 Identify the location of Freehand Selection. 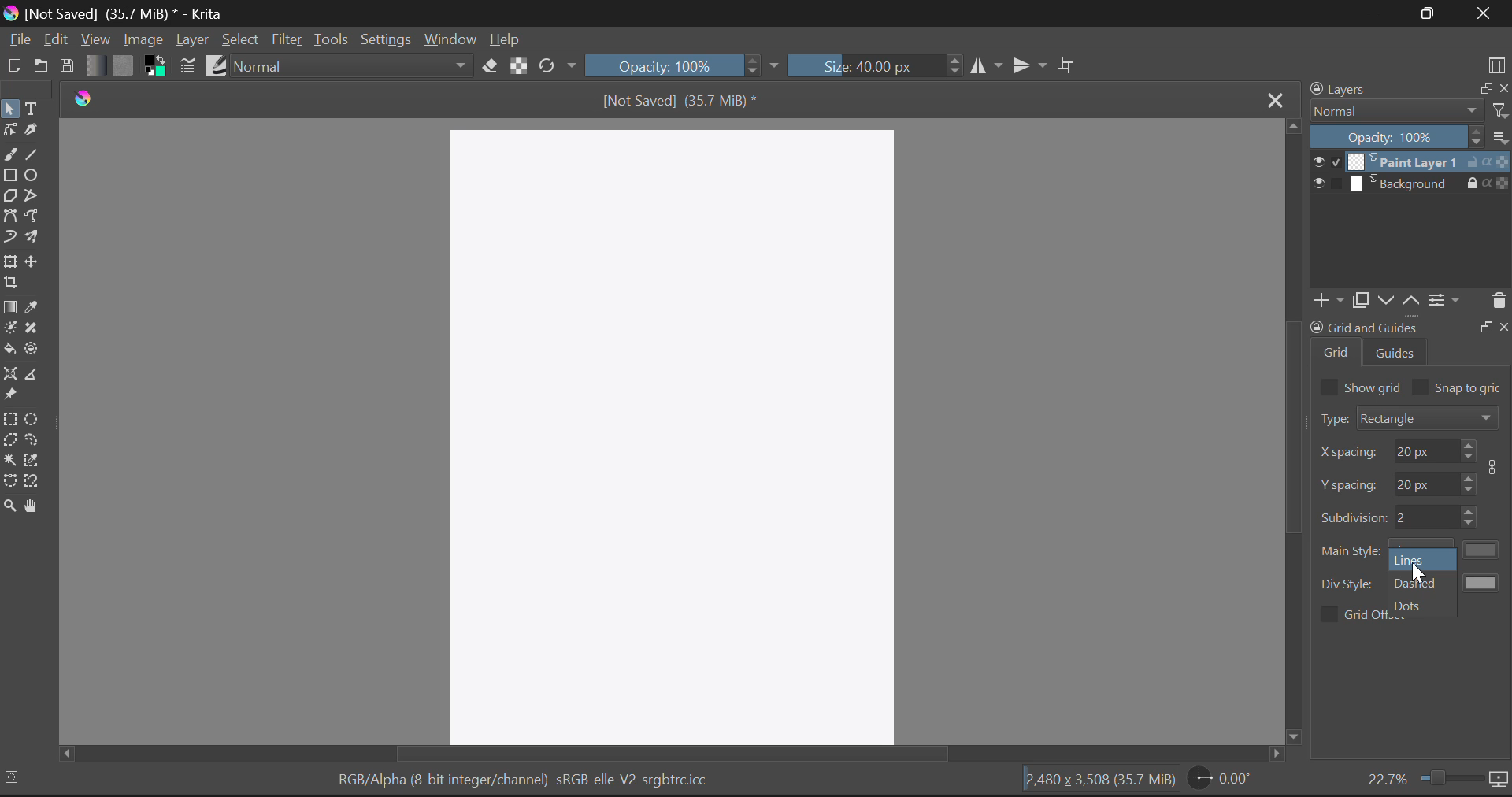
(34, 441).